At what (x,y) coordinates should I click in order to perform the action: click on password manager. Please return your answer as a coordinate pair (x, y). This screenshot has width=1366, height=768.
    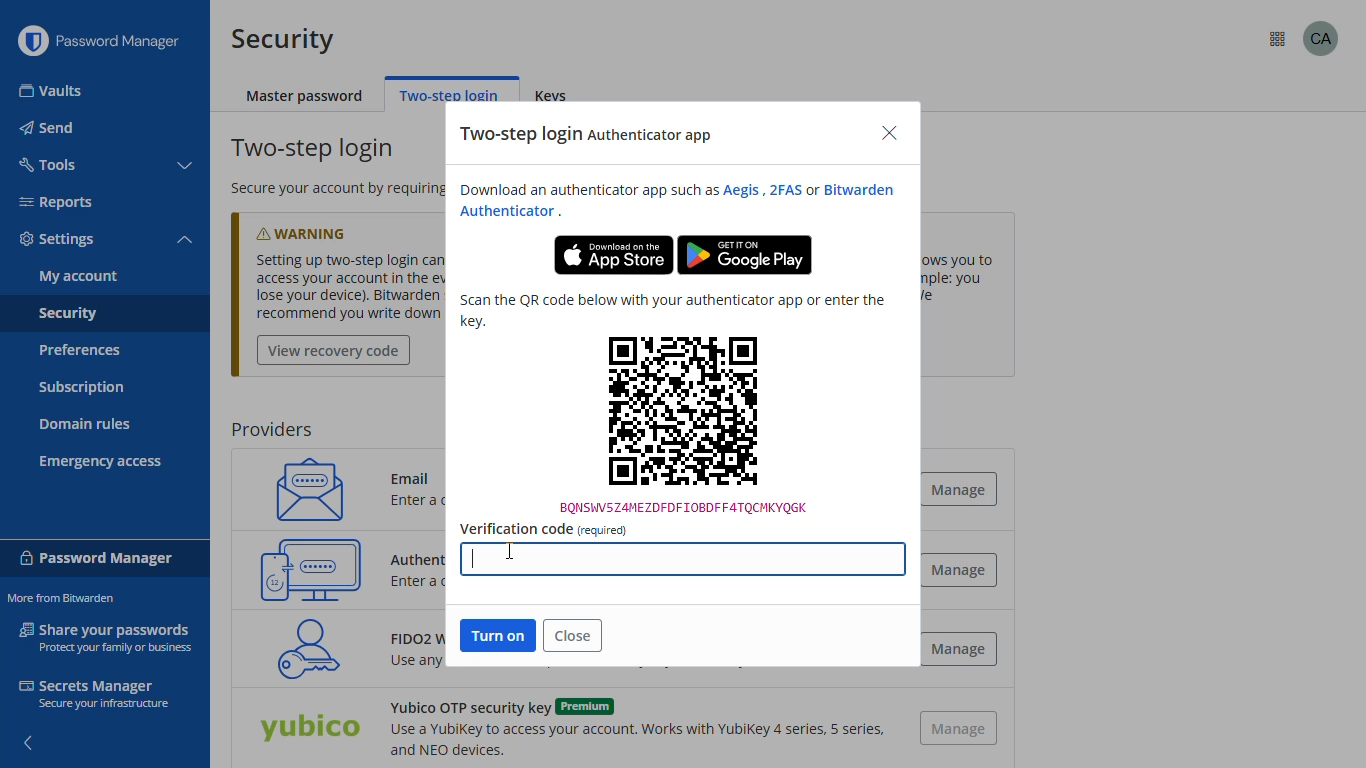
    Looking at the image, I should click on (126, 41).